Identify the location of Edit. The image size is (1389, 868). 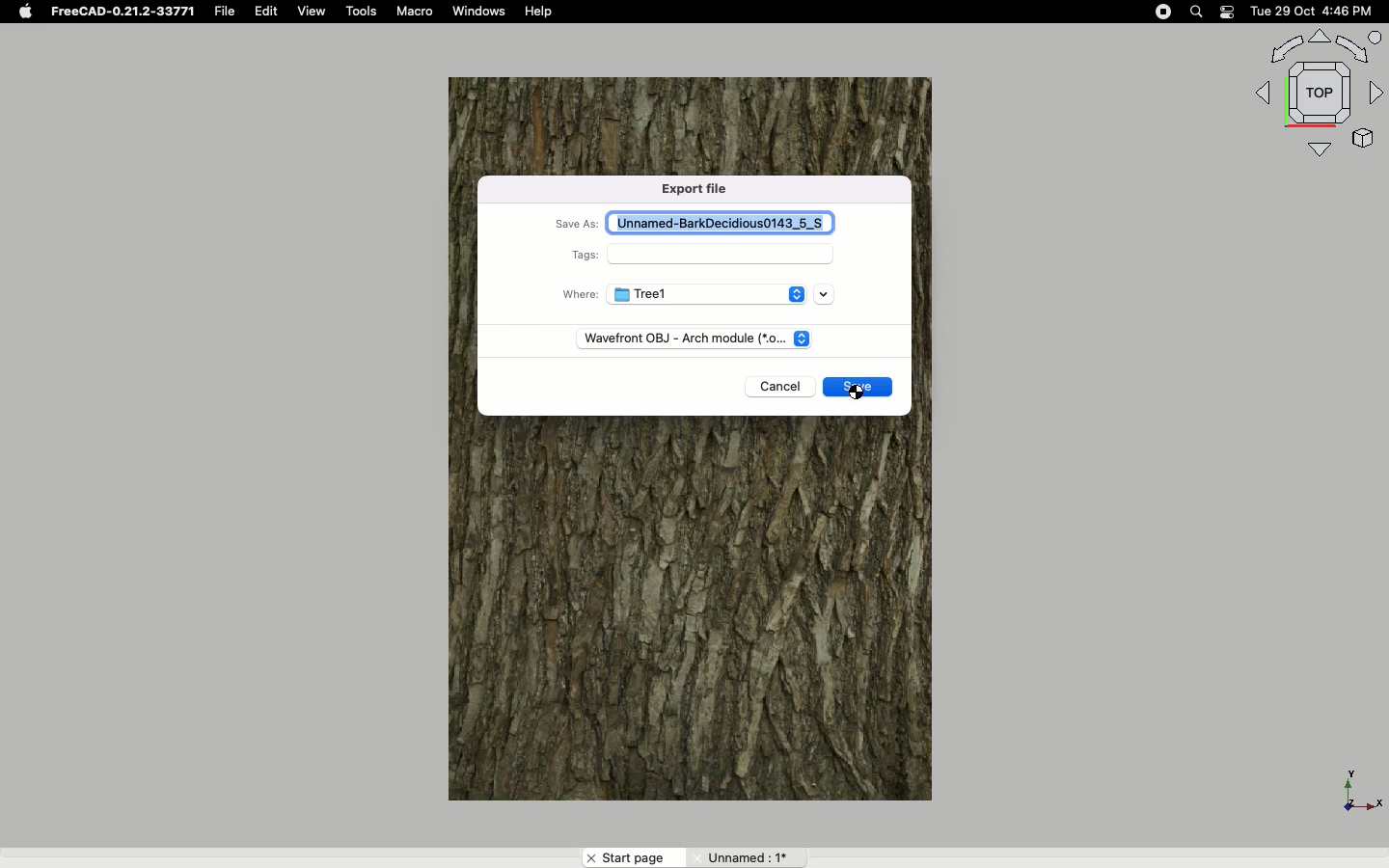
(268, 12).